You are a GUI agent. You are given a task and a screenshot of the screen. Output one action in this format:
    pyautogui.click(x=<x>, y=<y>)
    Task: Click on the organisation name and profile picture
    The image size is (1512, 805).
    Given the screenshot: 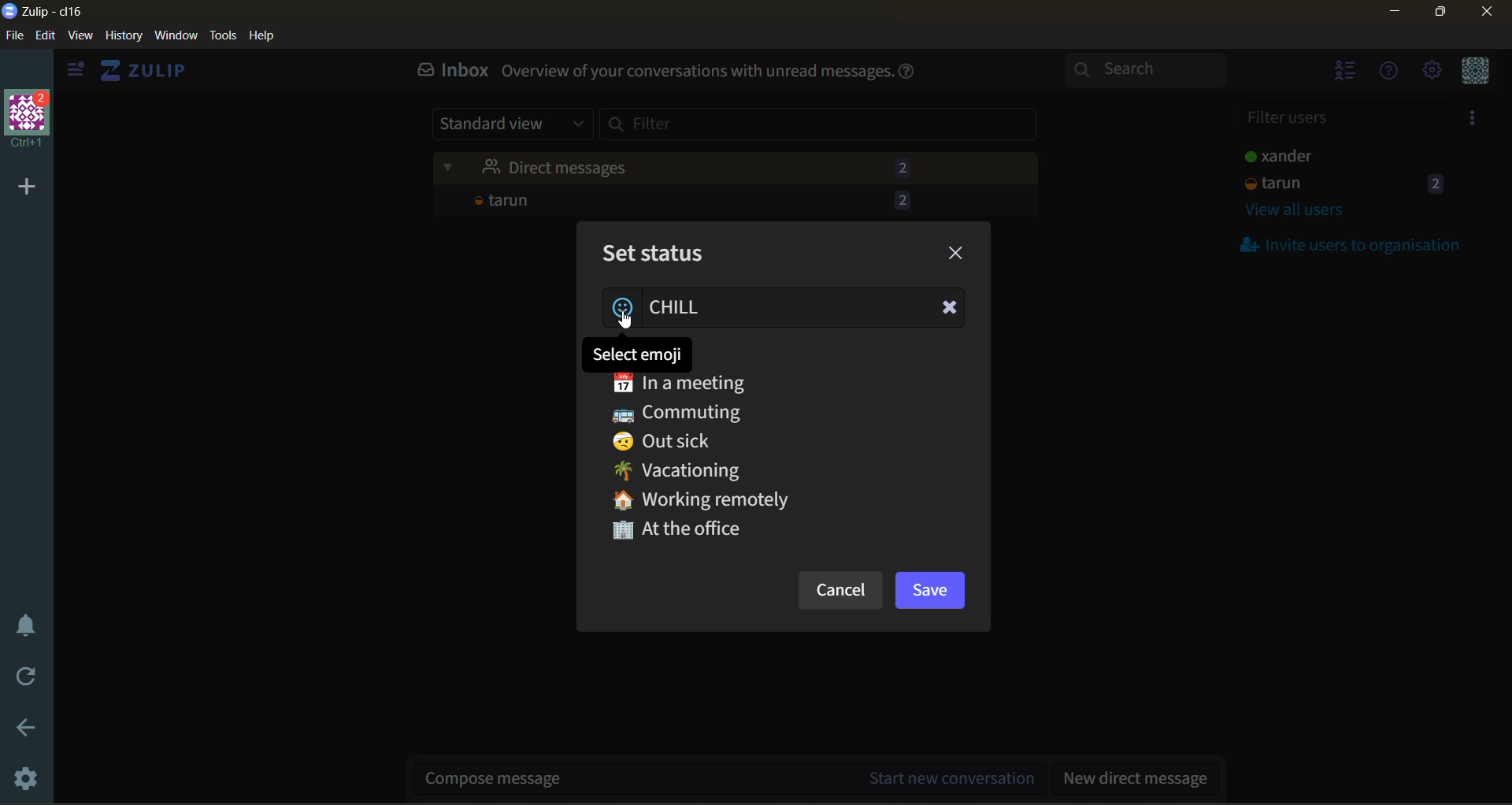 What is the action you would take?
    pyautogui.click(x=24, y=122)
    